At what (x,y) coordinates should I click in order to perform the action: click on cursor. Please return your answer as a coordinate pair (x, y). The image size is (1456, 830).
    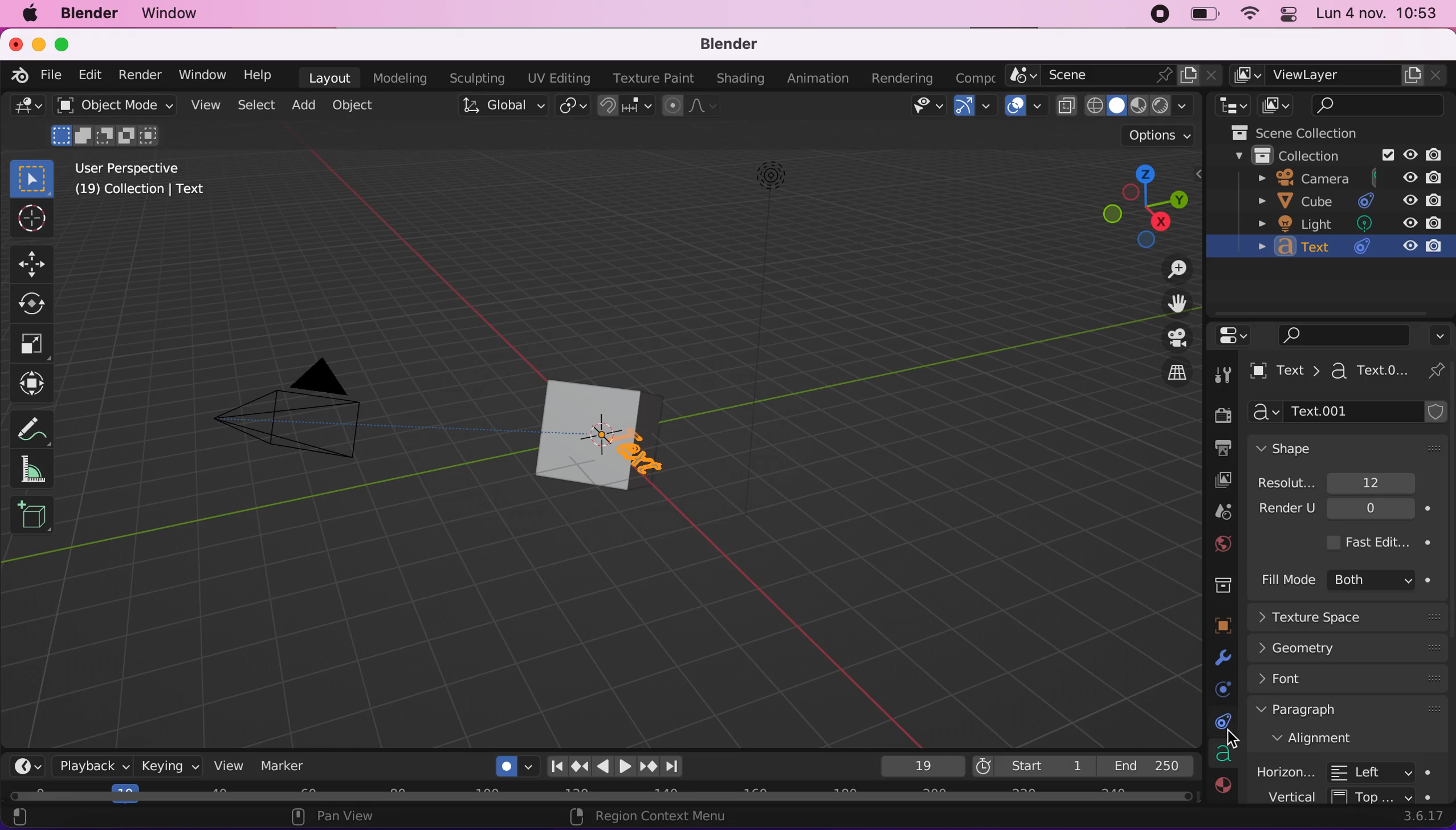
    Looking at the image, I should click on (29, 218).